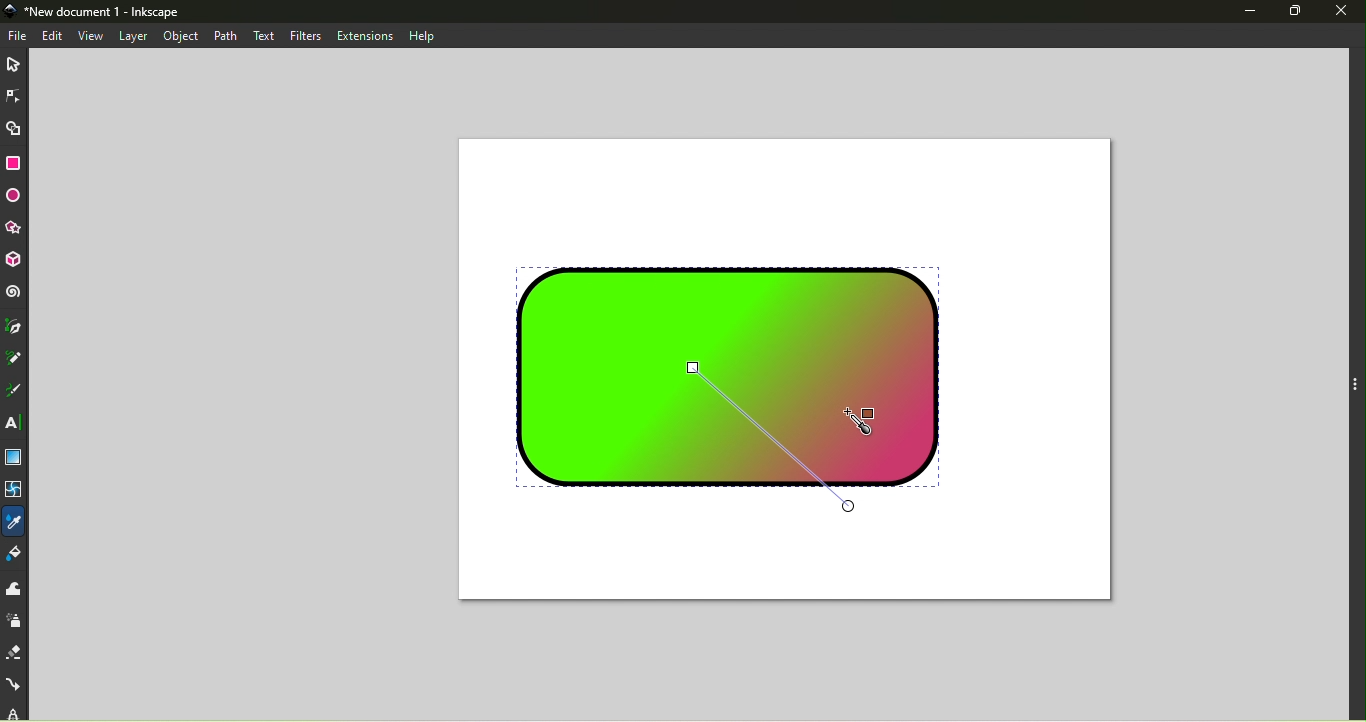 This screenshot has height=722, width=1366. What do you see at coordinates (17, 228) in the screenshot?
I see `Star/polygon tool` at bounding box center [17, 228].